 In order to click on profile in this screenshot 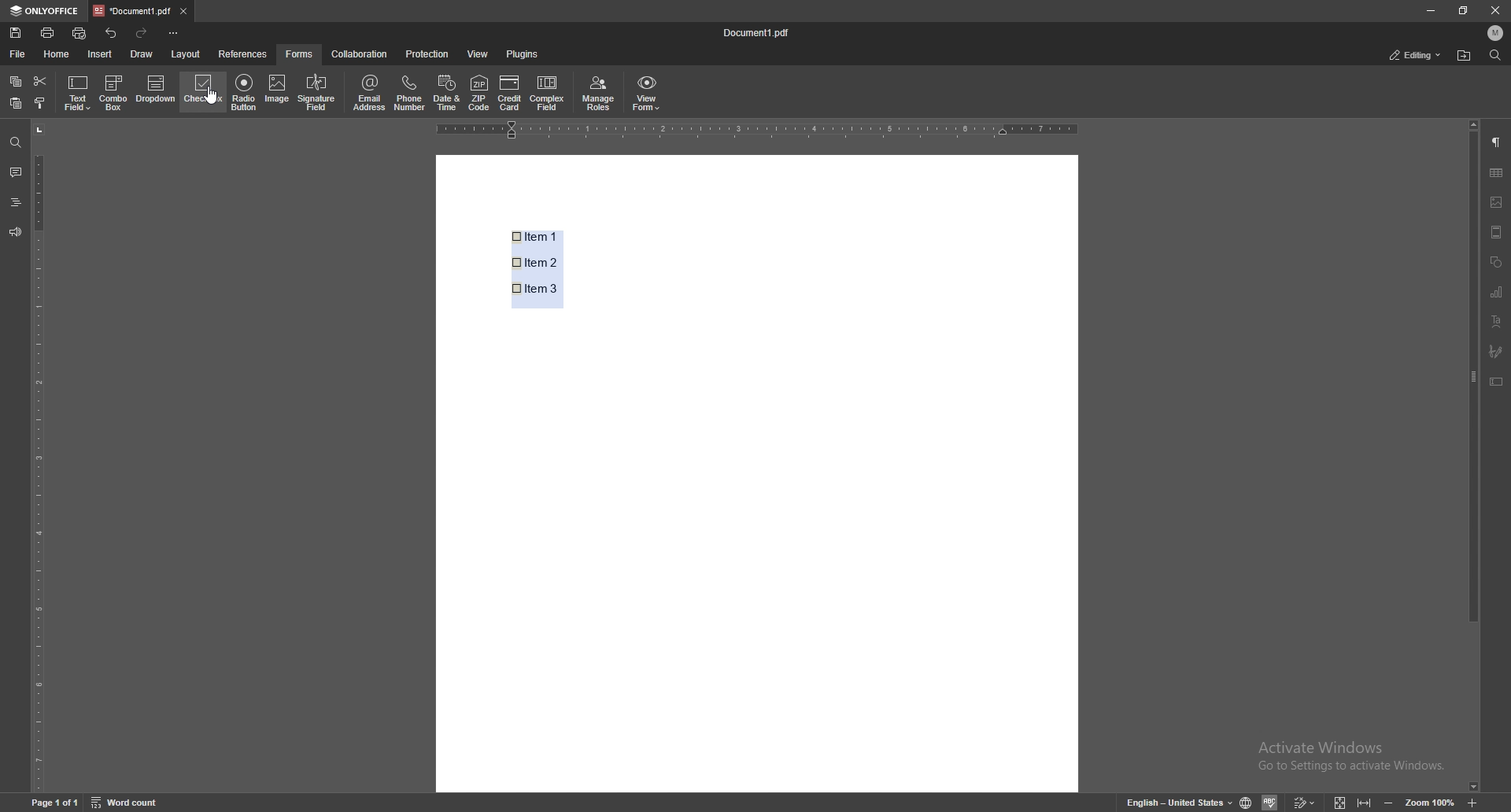, I will do `click(1494, 33)`.